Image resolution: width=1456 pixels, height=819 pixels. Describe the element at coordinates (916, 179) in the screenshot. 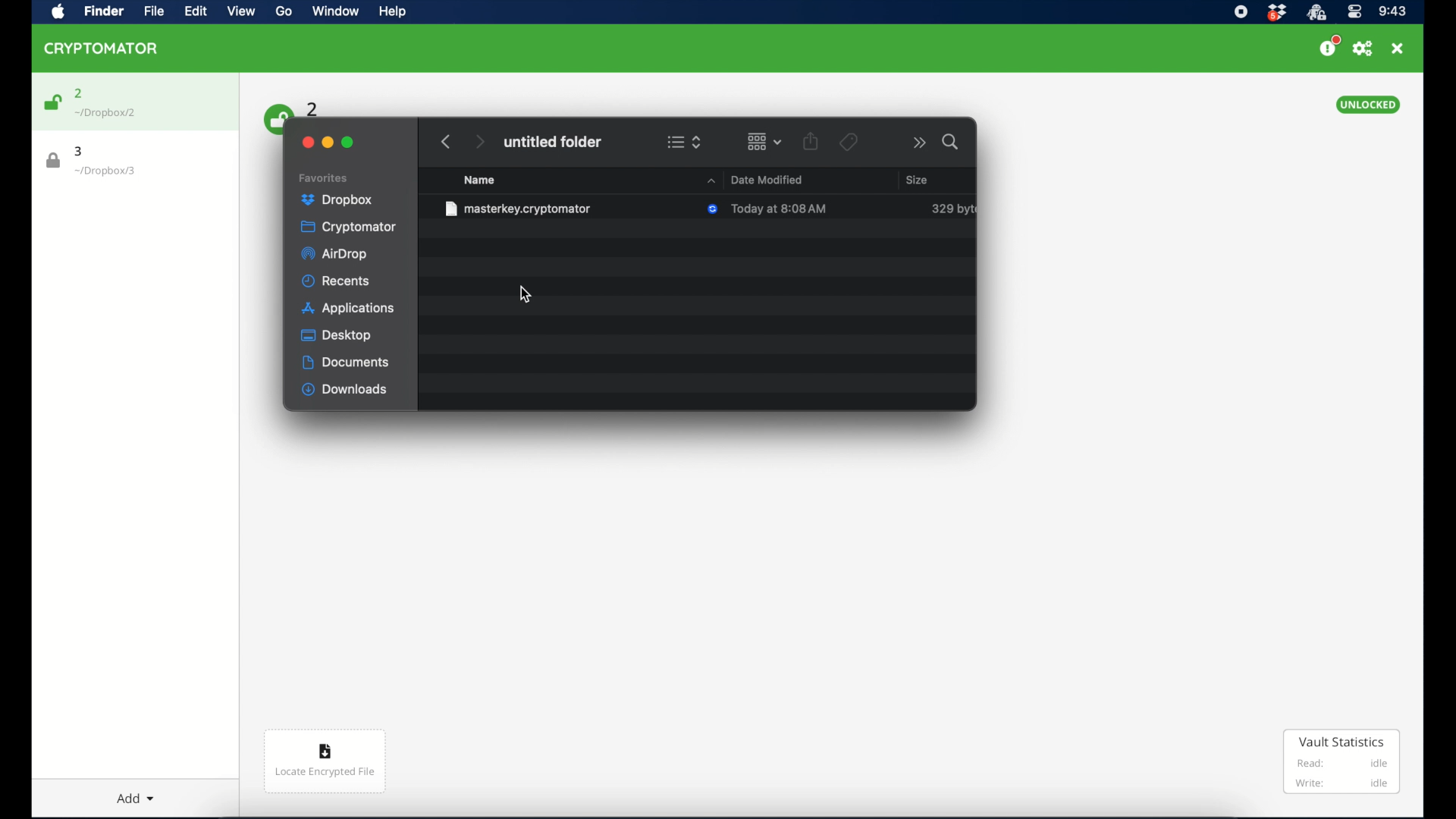

I see `size` at that location.